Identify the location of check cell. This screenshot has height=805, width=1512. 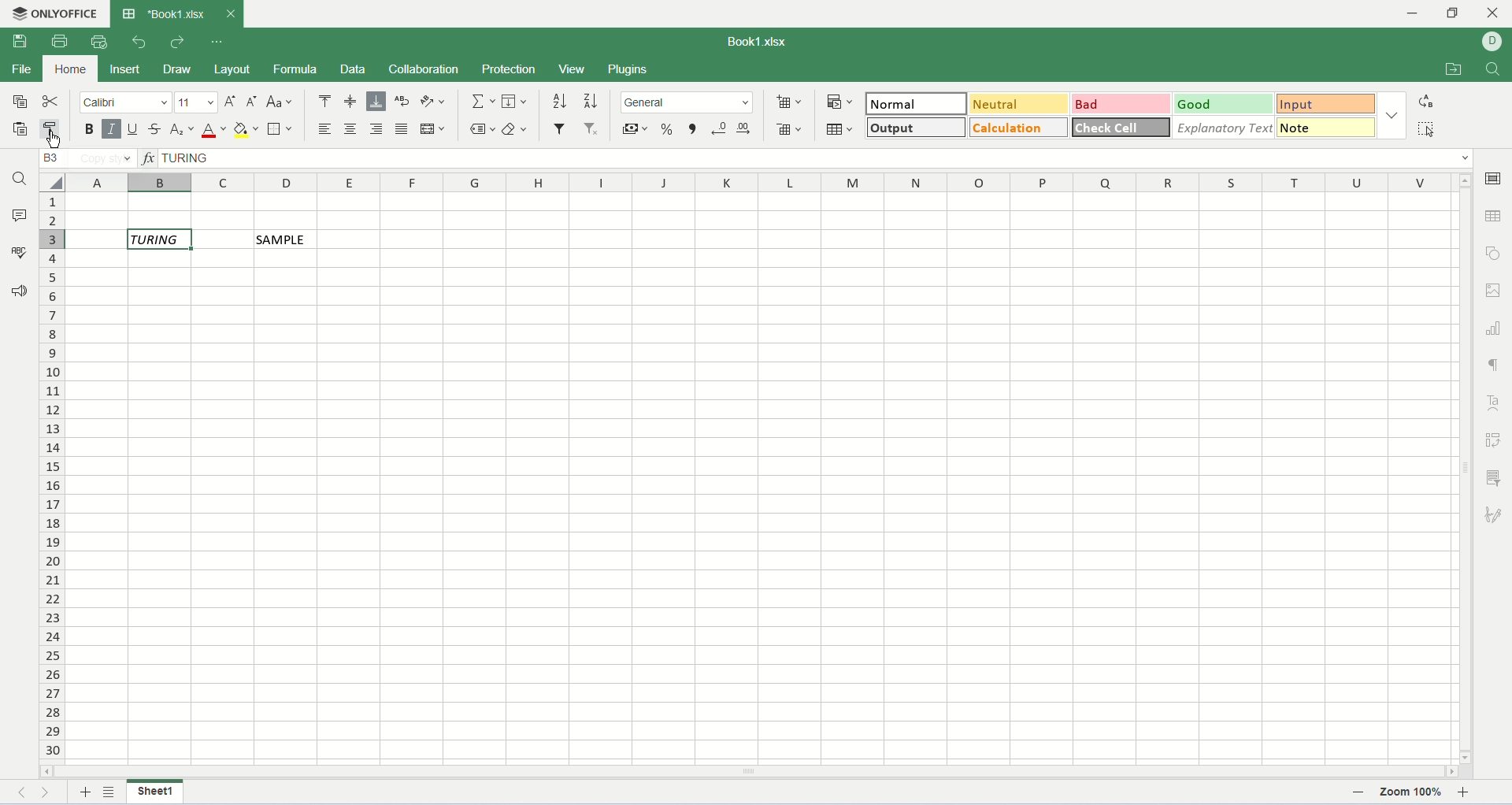
(1122, 125).